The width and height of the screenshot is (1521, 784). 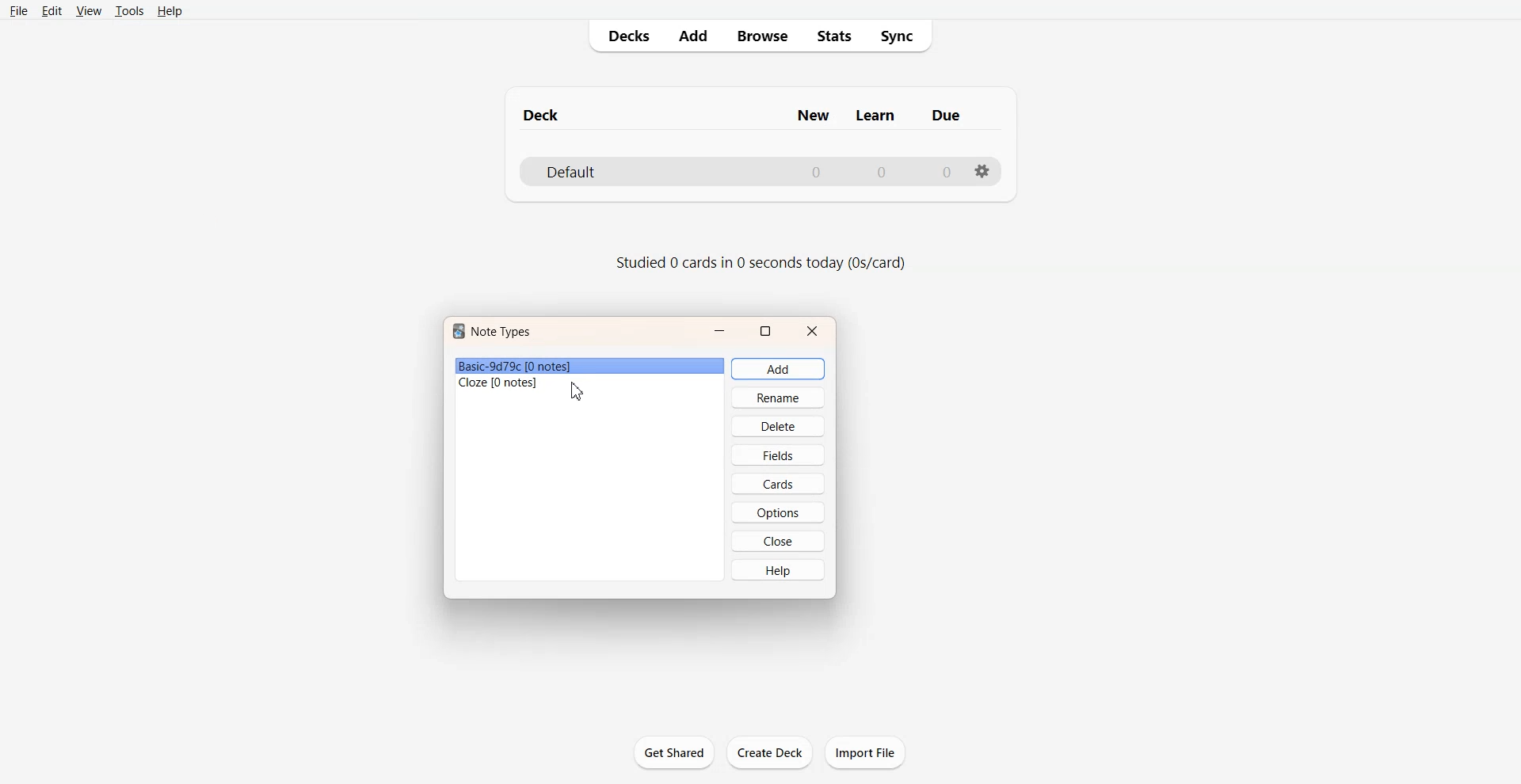 What do you see at coordinates (865, 752) in the screenshot?
I see `Import File` at bounding box center [865, 752].